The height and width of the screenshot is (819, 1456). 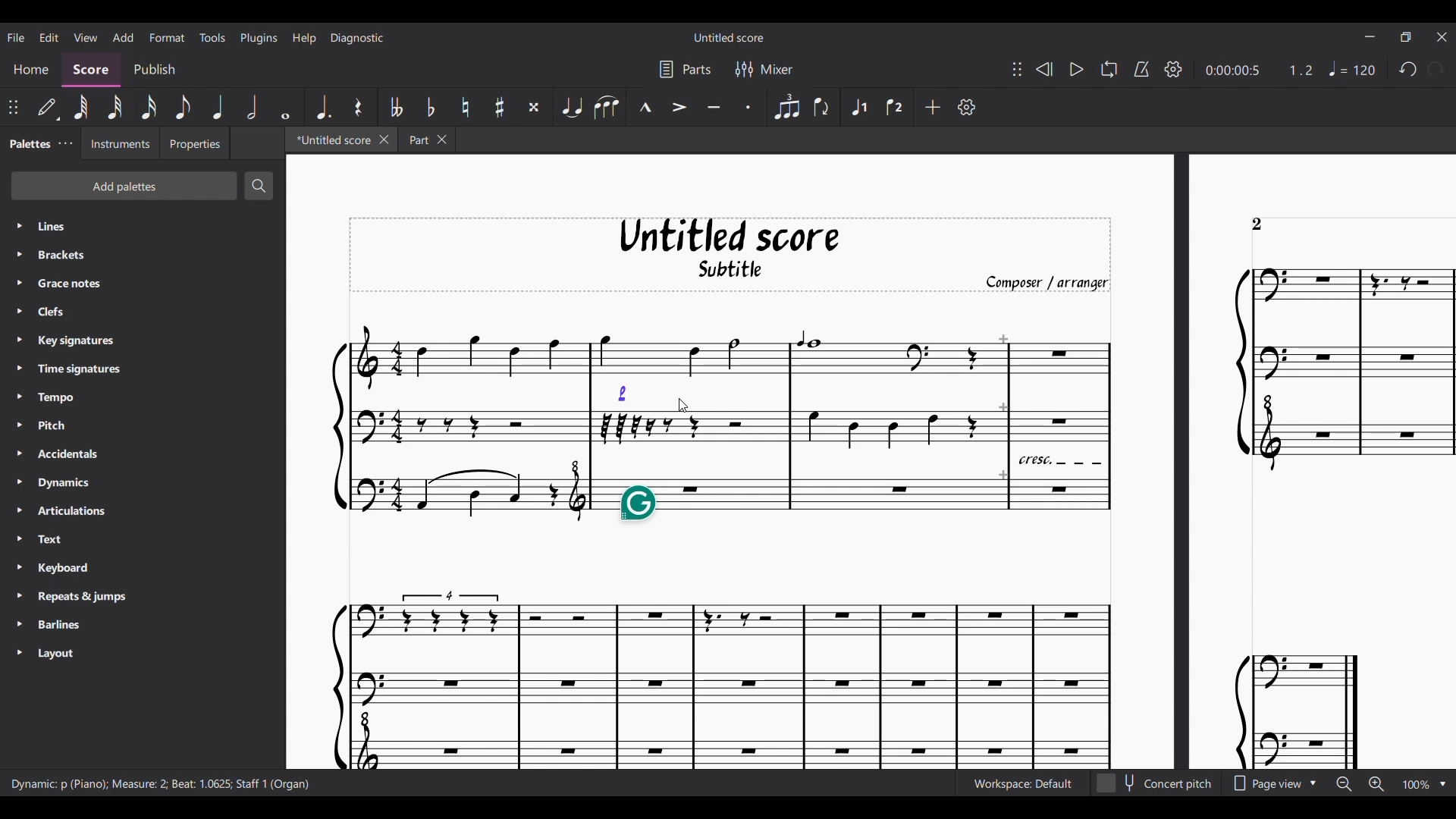 I want to click on Close/Undock Palette tab, so click(x=66, y=143).